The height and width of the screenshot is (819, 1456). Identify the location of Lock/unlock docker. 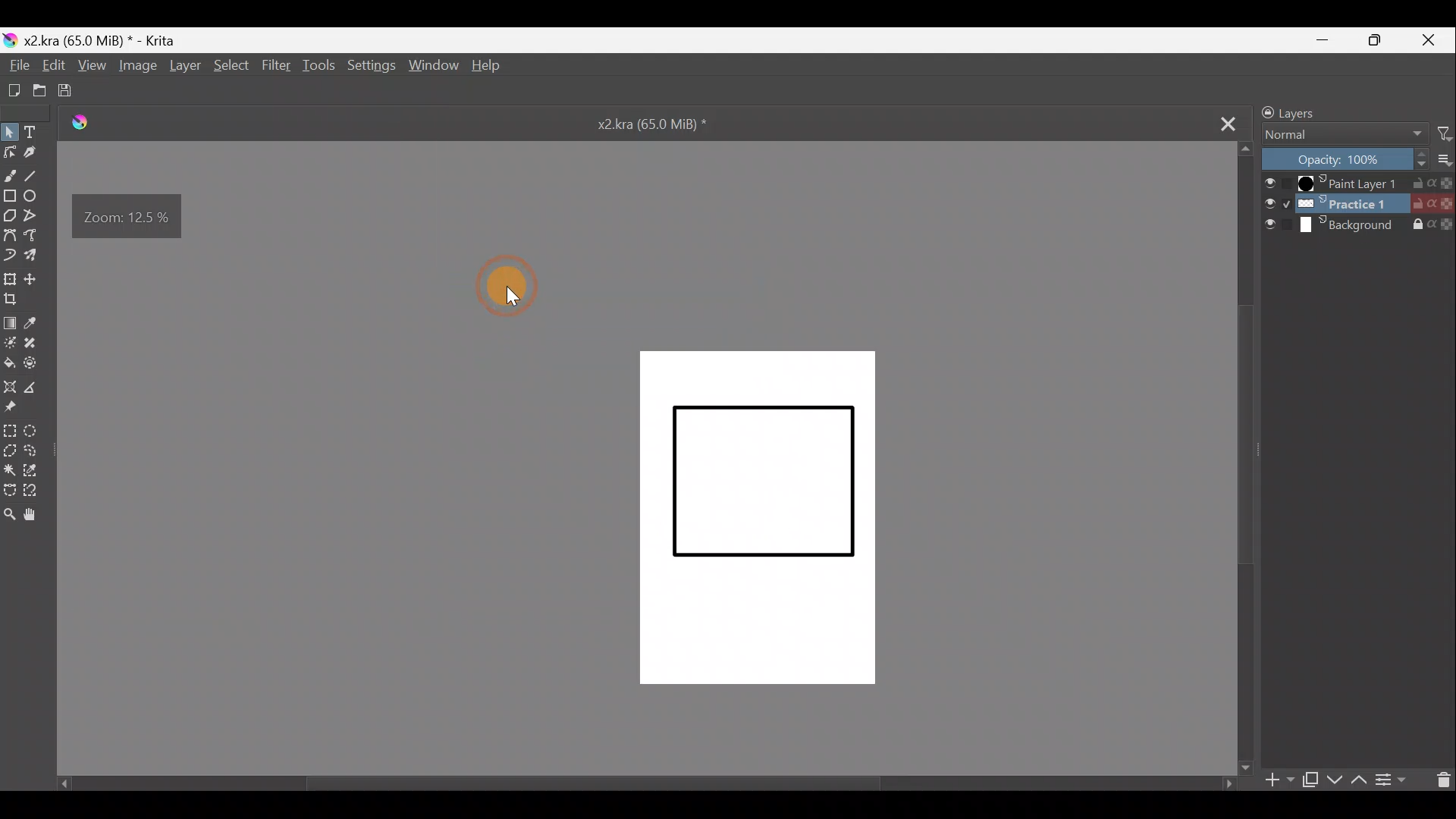
(1260, 111).